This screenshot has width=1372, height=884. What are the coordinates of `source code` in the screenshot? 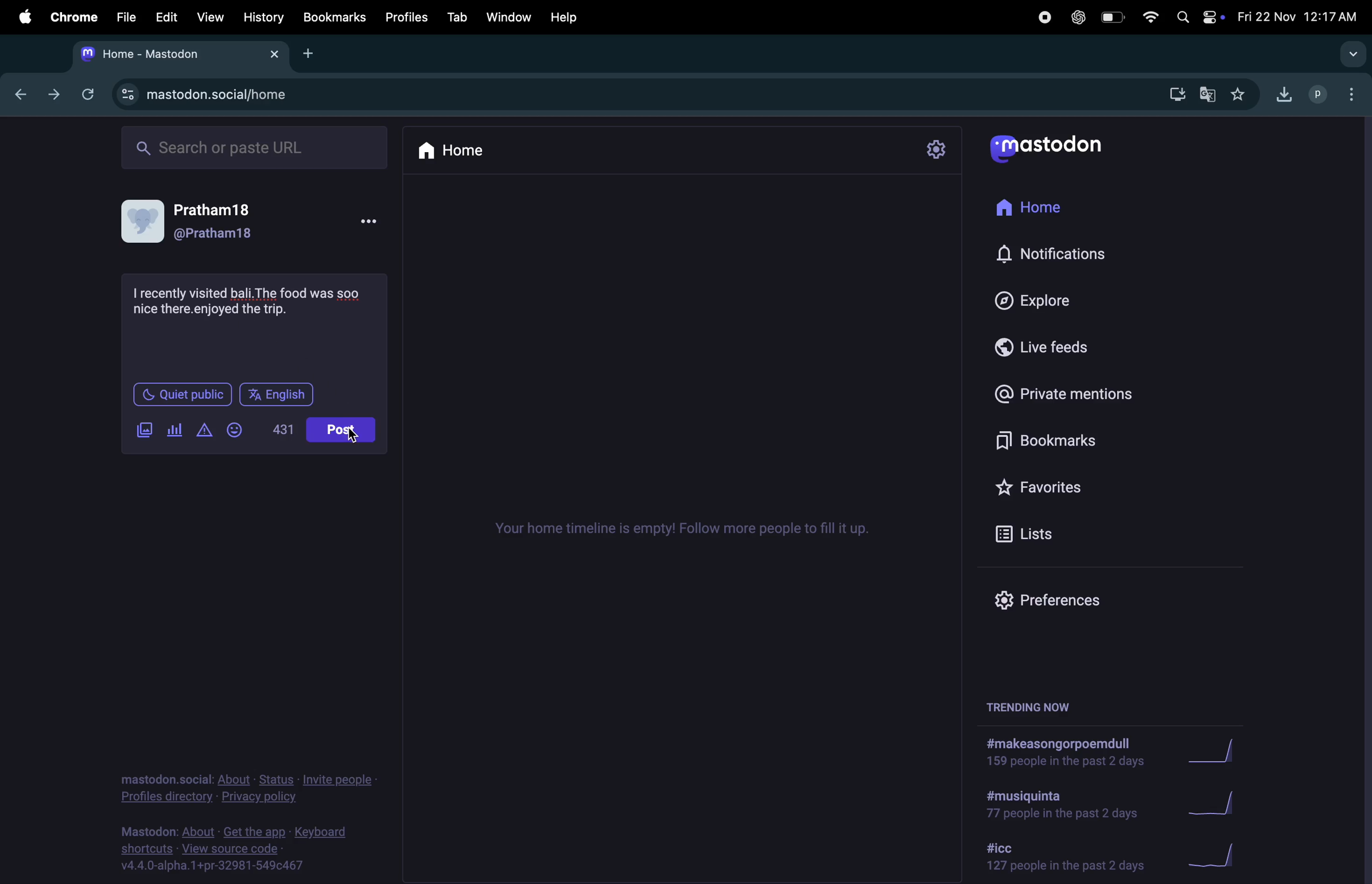 It's located at (240, 850).